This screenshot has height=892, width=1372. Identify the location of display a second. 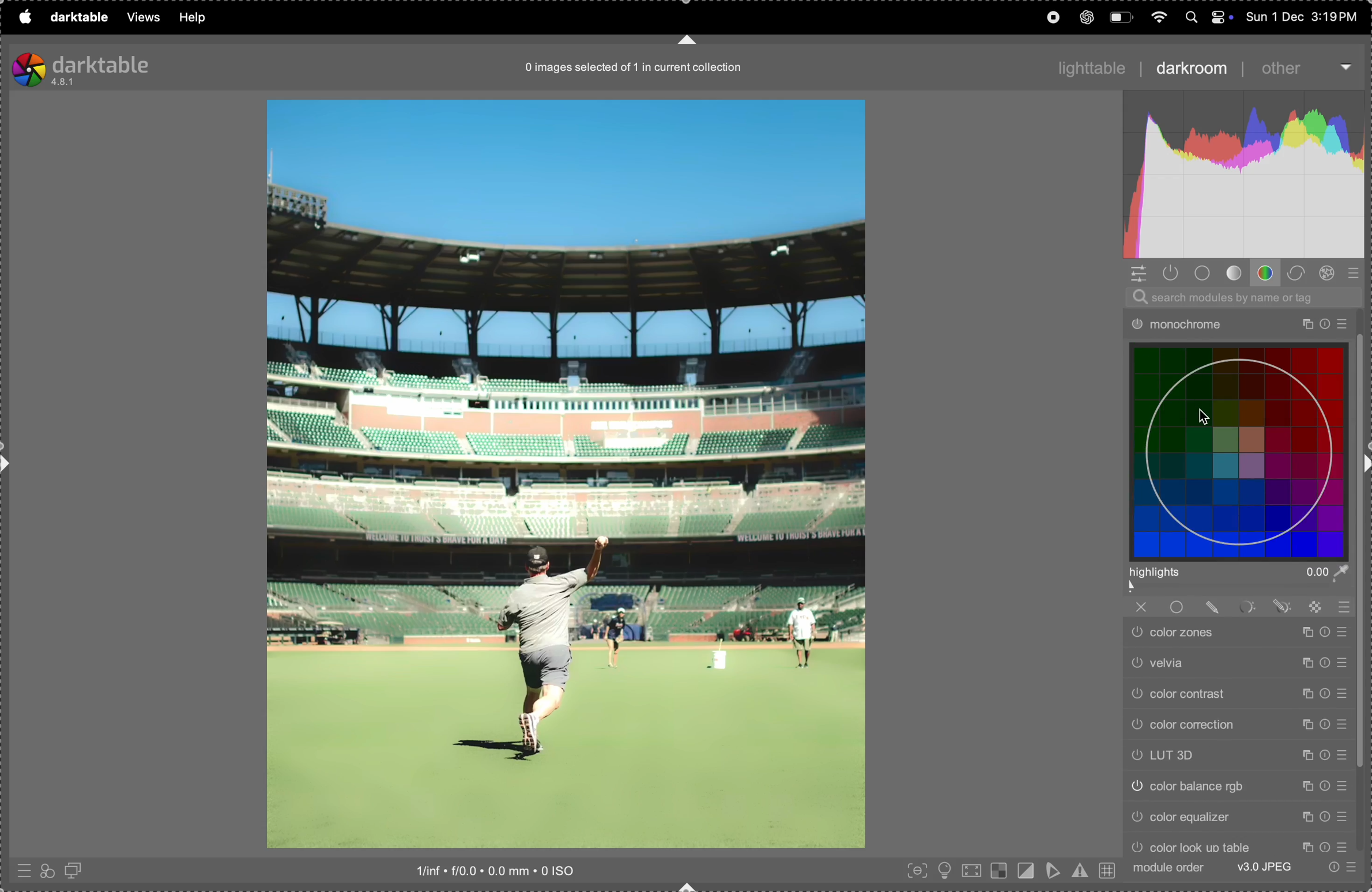
(77, 869).